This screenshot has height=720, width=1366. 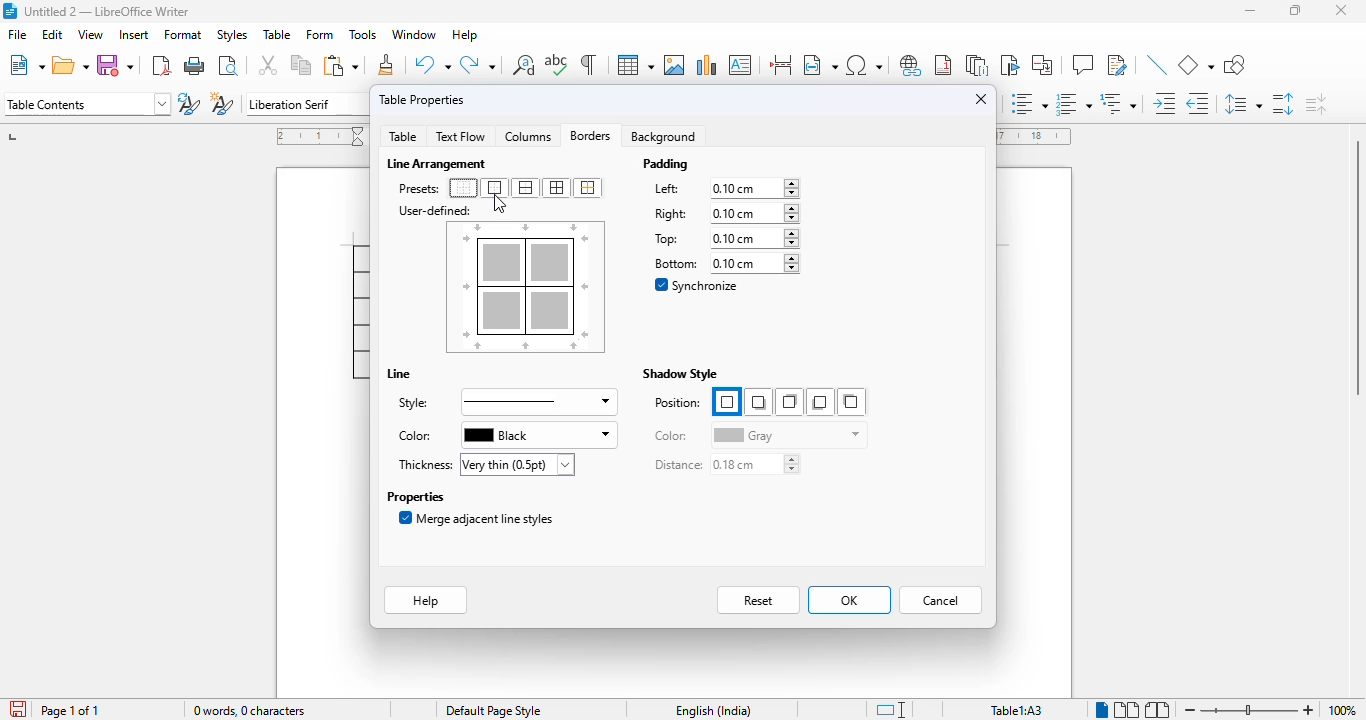 I want to click on top: 0.10 cm, so click(x=723, y=238).